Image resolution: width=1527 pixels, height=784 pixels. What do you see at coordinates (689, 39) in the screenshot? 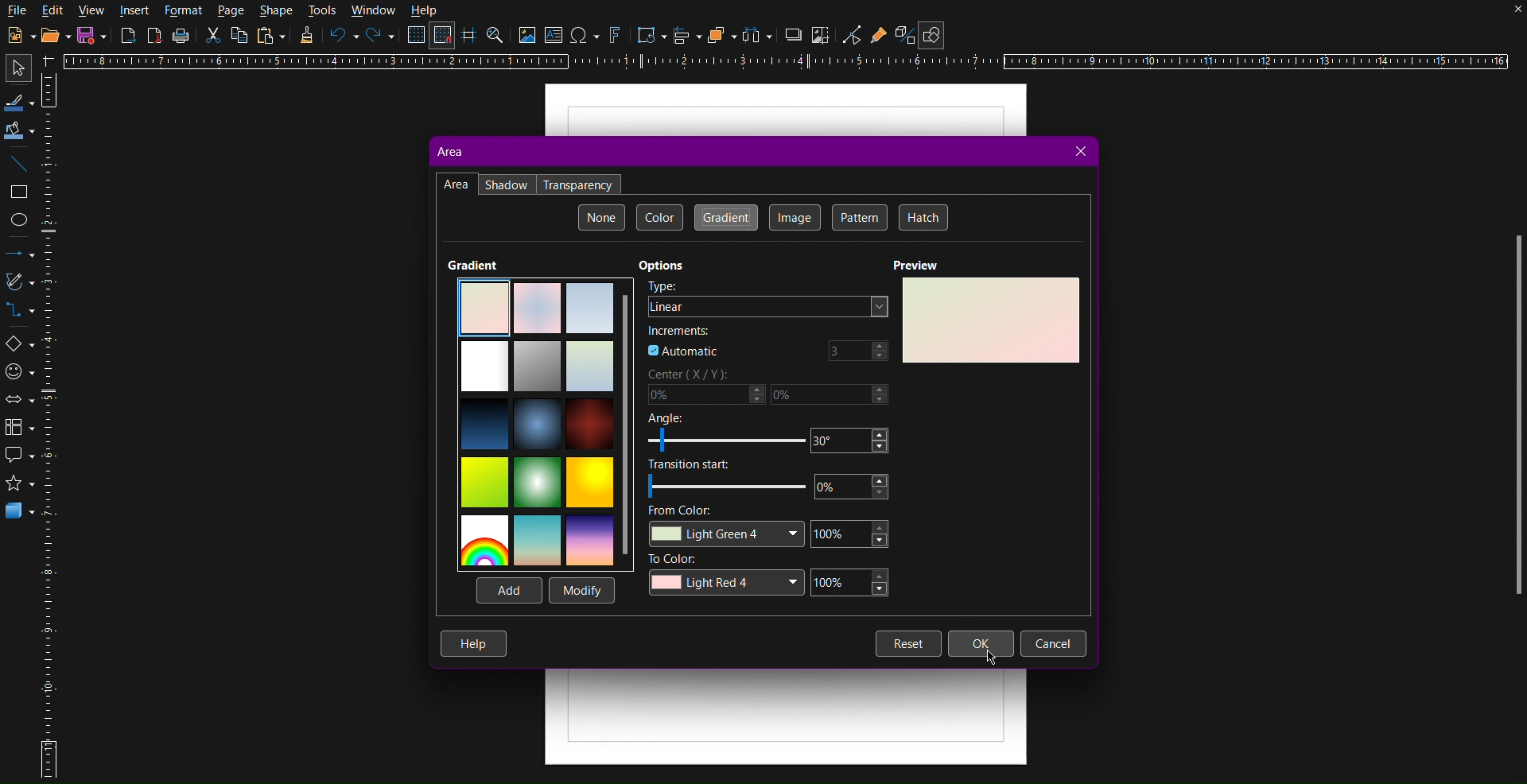
I see `Align Objects` at bounding box center [689, 39].